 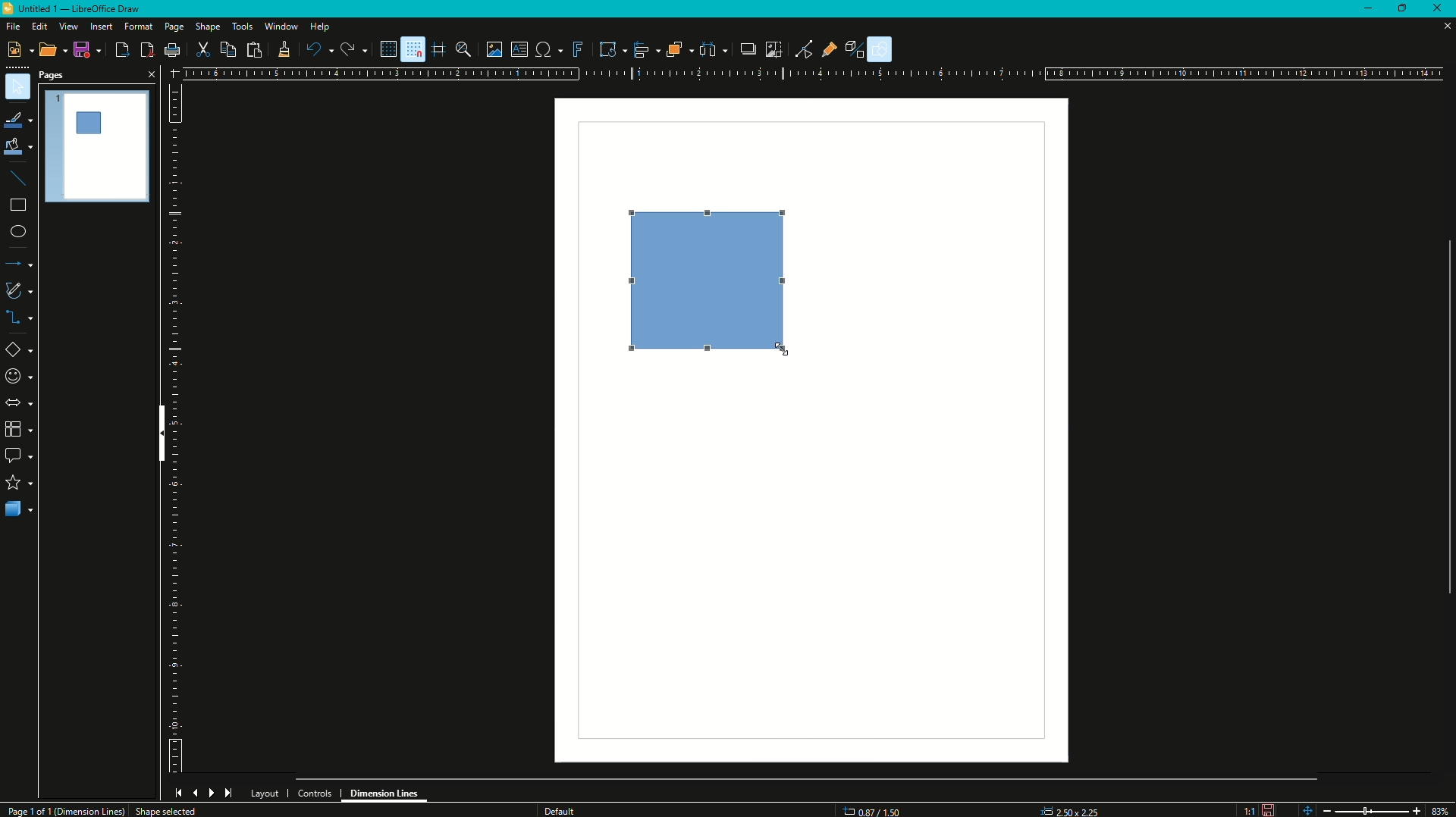 I want to click on Page Preview, so click(x=98, y=144).